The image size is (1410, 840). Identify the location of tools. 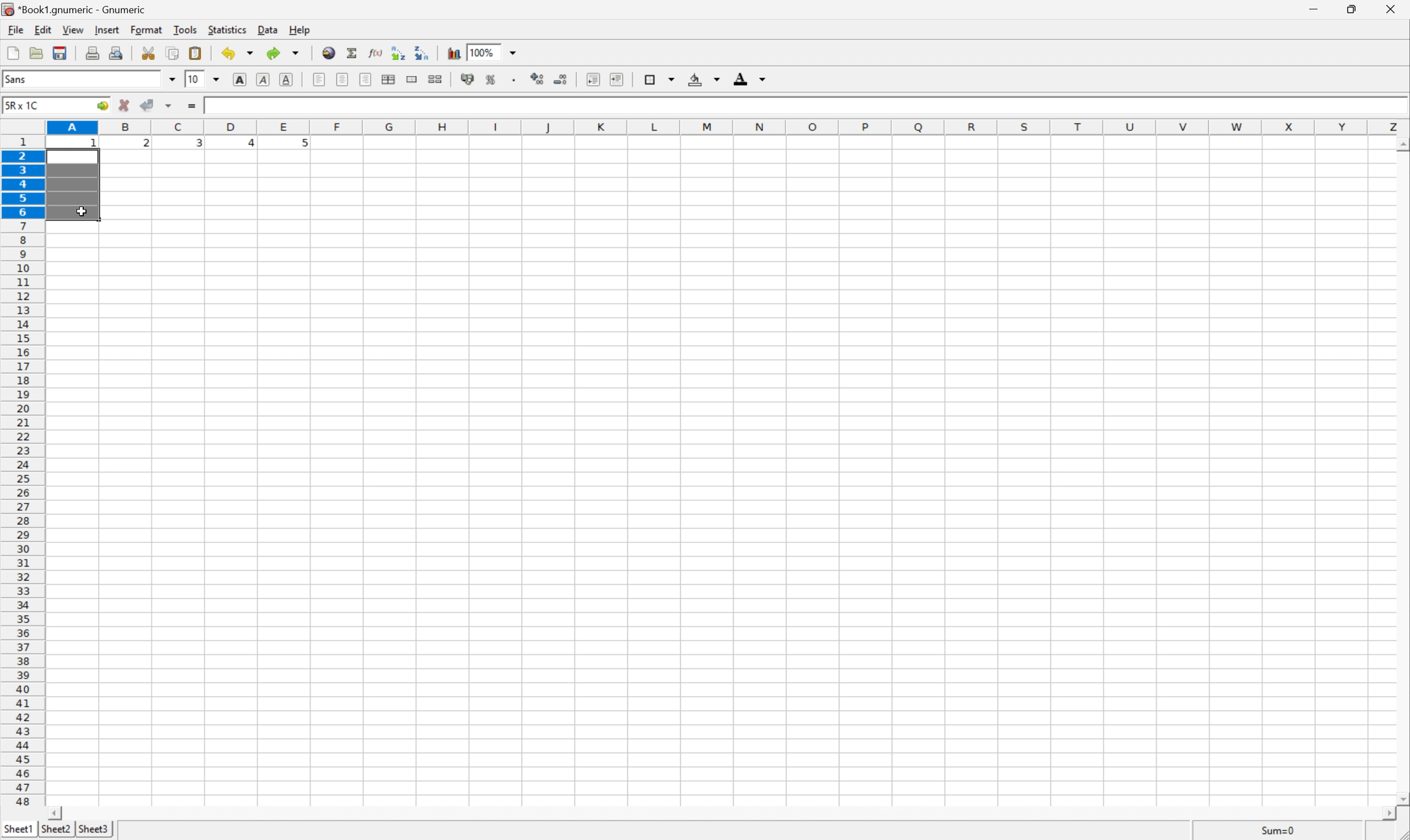
(186, 30).